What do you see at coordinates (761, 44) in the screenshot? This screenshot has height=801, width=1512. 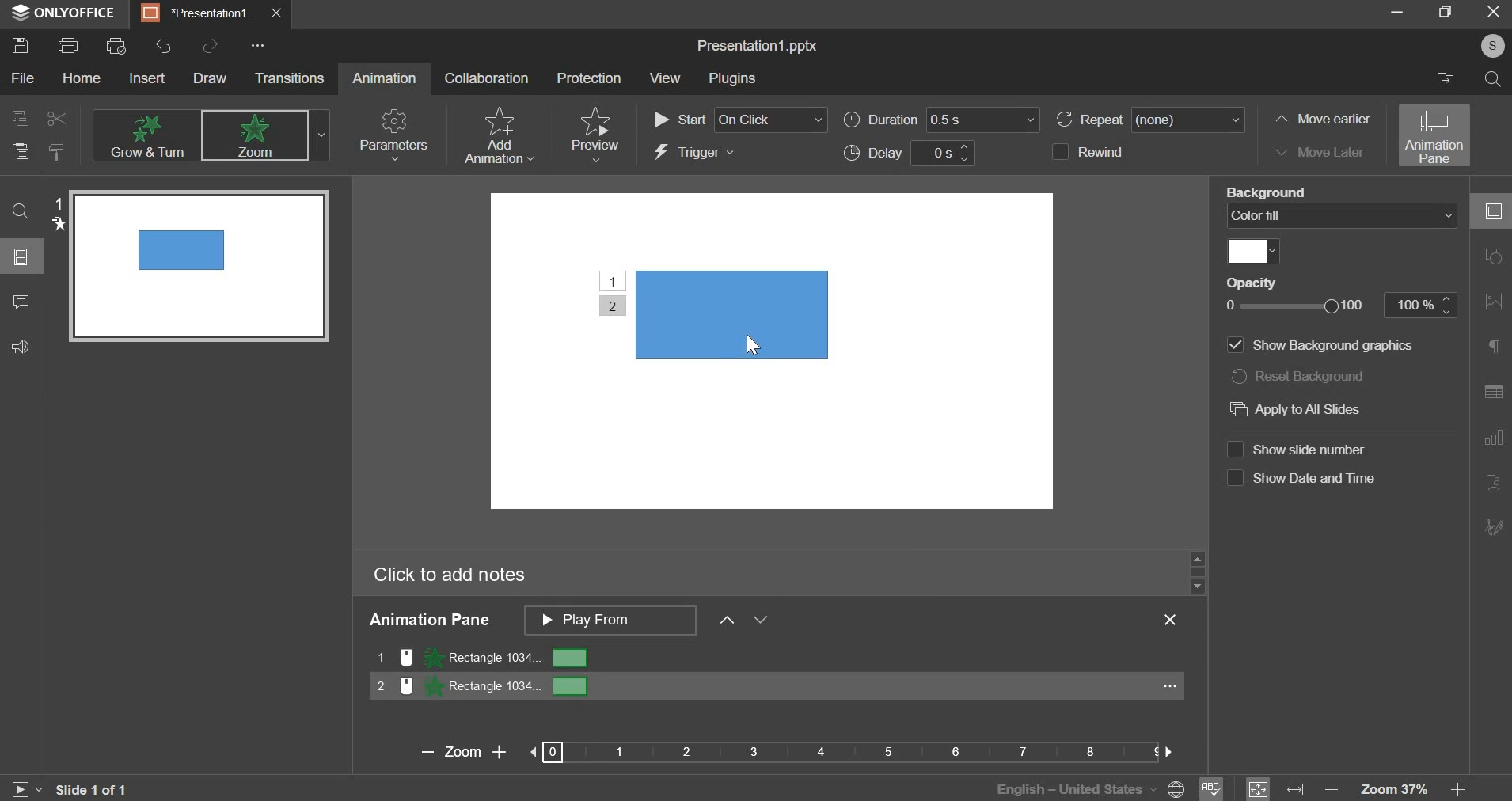 I see `Presentation1.pptx` at bounding box center [761, 44].